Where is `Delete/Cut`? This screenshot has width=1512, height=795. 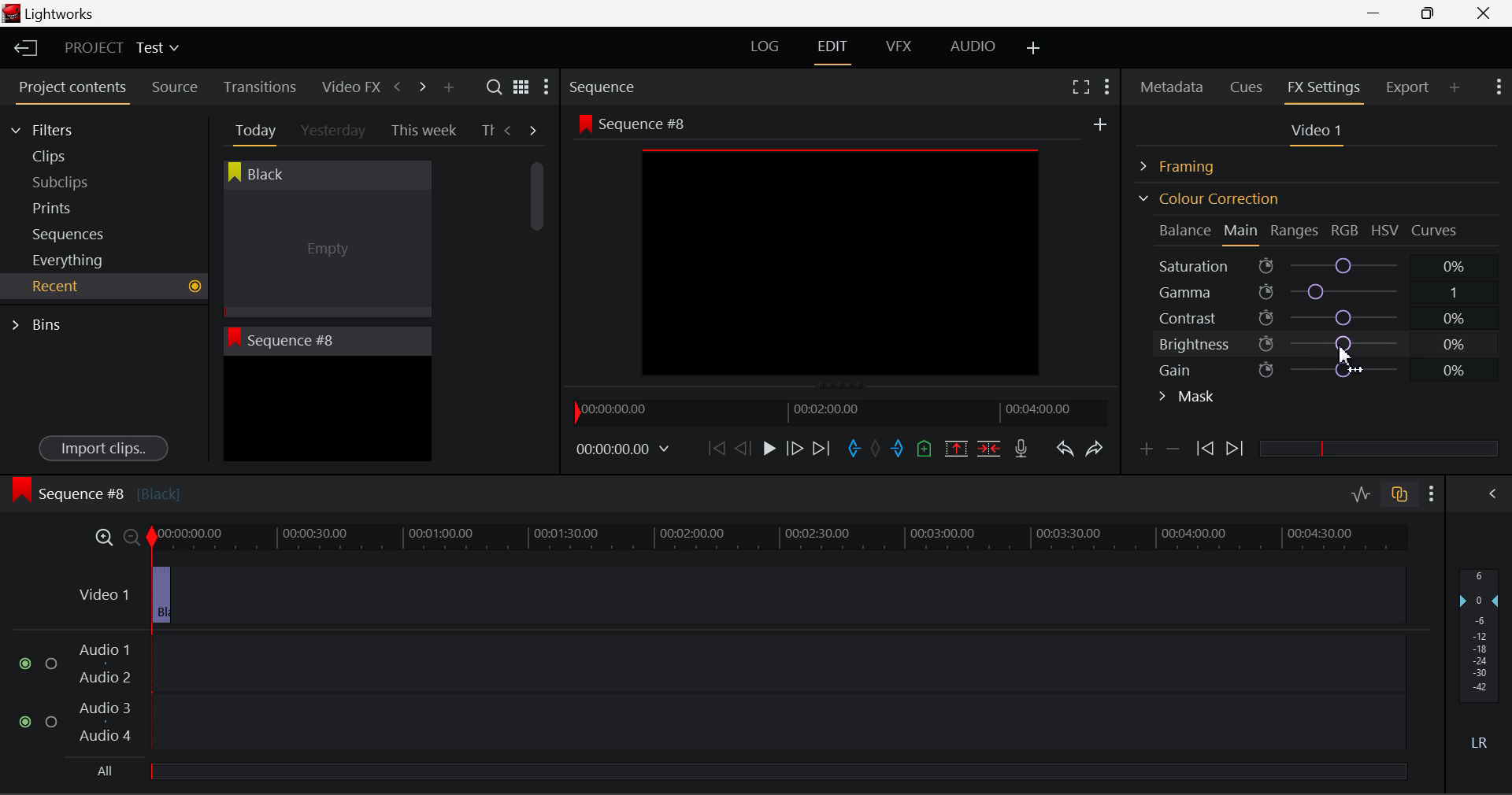 Delete/Cut is located at coordinates (989, 448).